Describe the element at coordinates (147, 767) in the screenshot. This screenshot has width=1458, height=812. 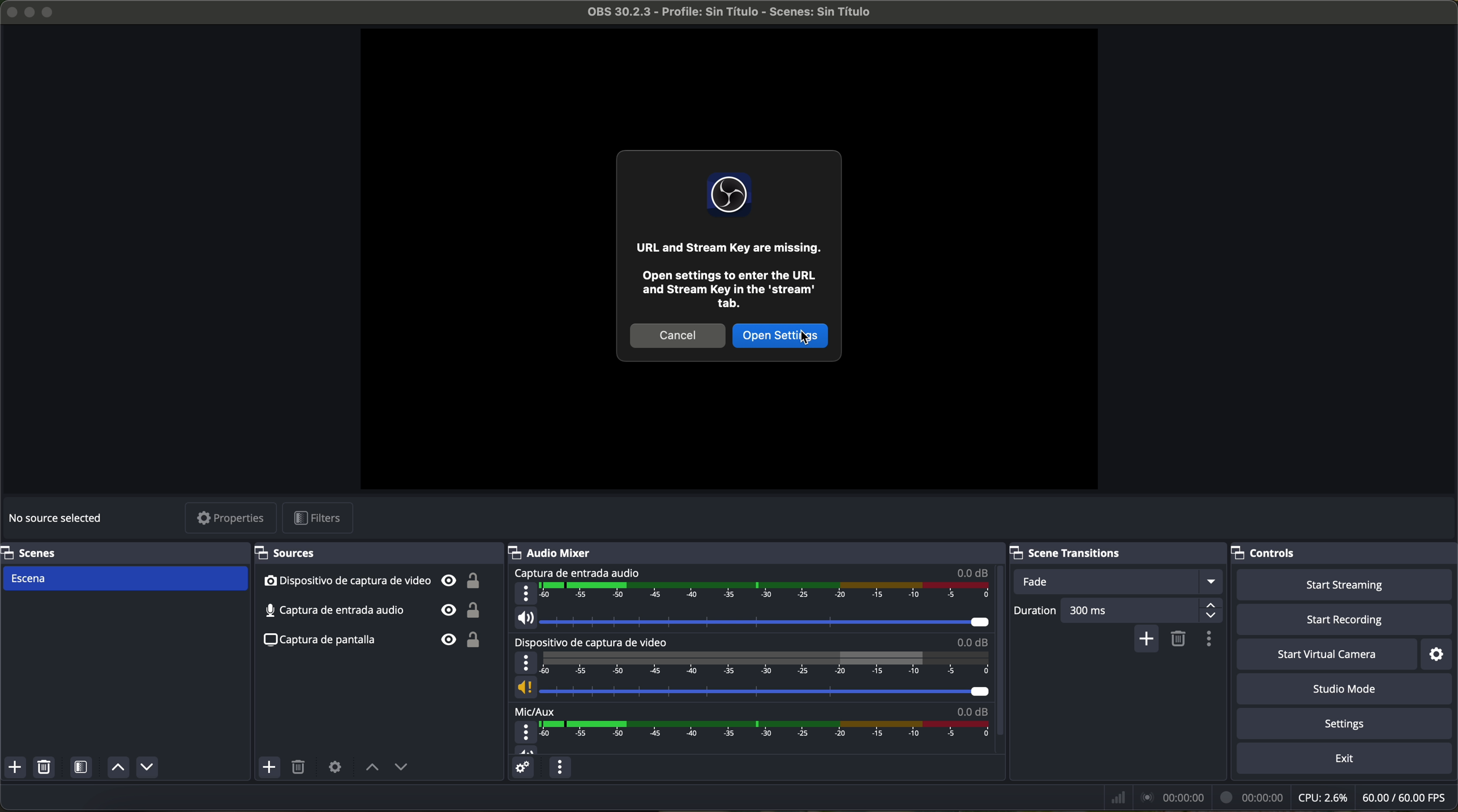
I see `move source down` at that location.